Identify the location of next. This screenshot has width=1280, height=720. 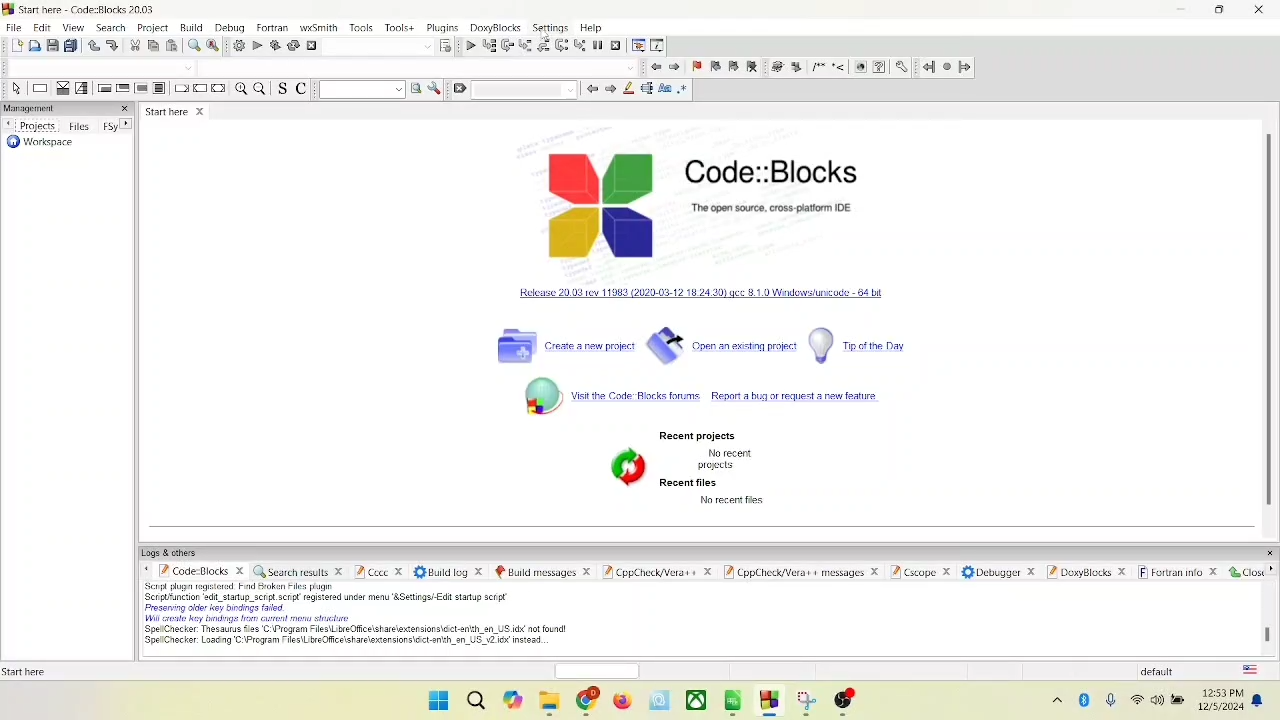
(677, 66).